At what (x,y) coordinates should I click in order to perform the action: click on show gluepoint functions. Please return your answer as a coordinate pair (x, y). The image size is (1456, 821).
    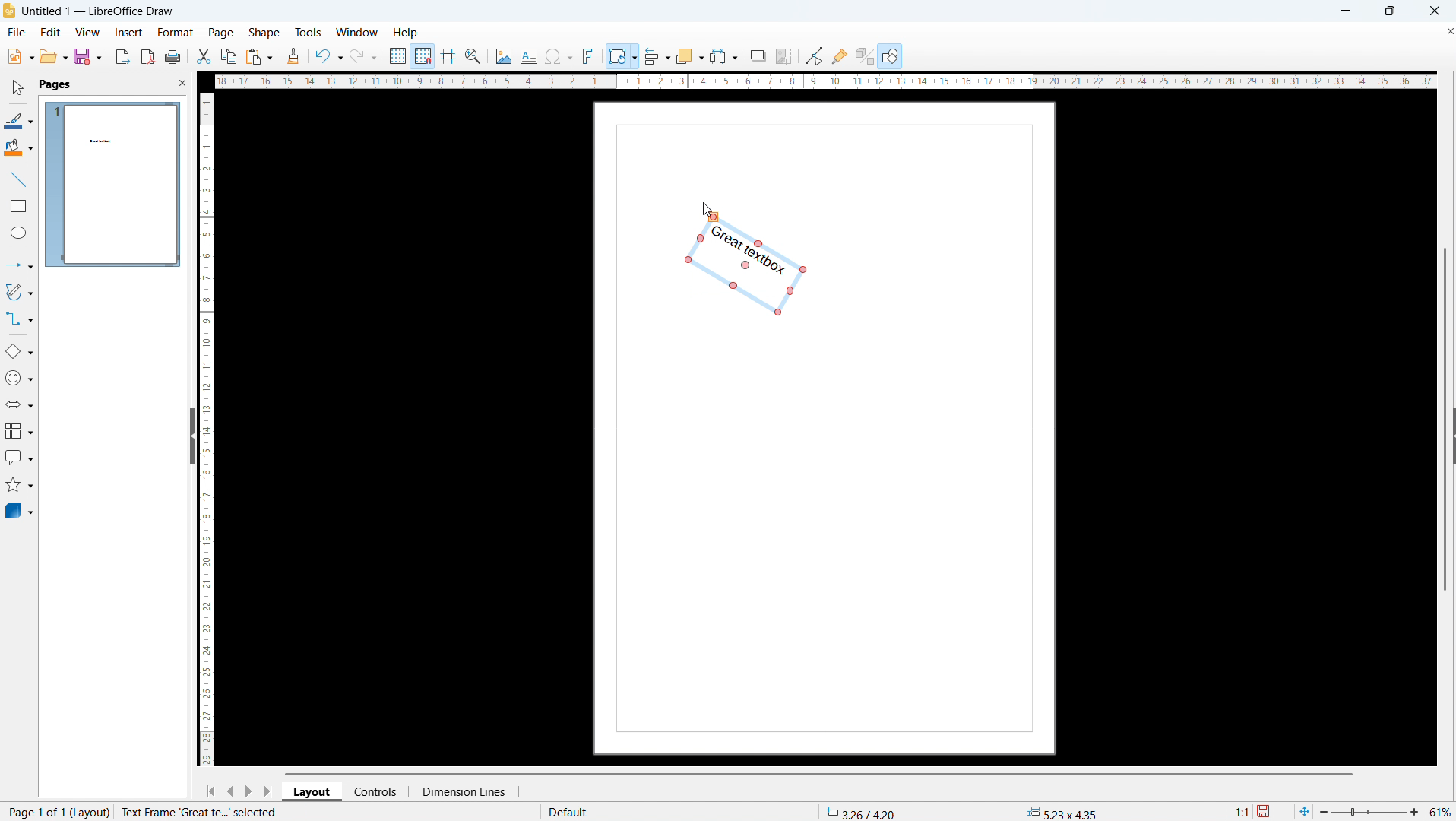
    Looking at the image, I should click on (840, 55).